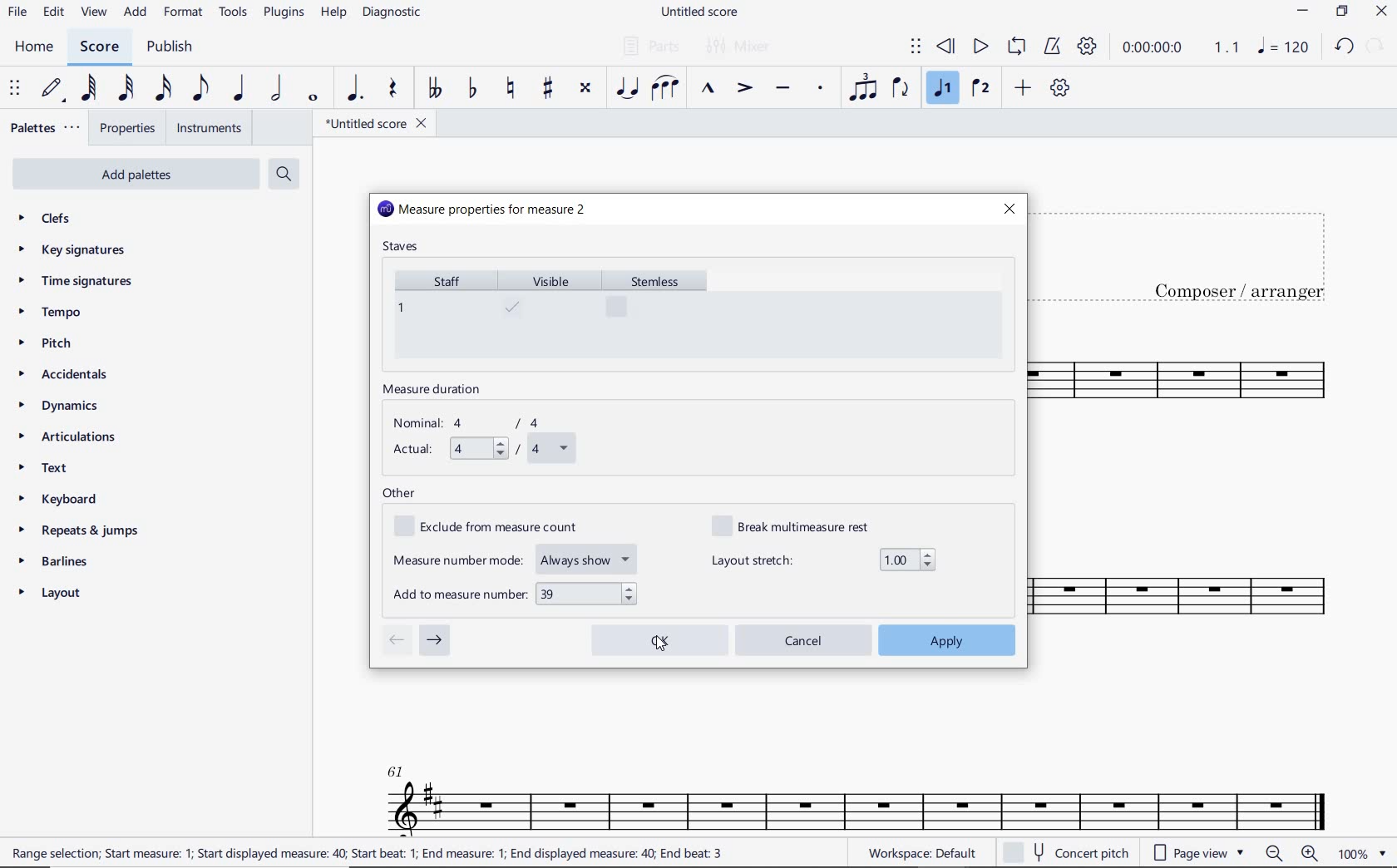  Describe the element at coordinates (59, 565) in the screenshot. I see `BARLINES` at that location.